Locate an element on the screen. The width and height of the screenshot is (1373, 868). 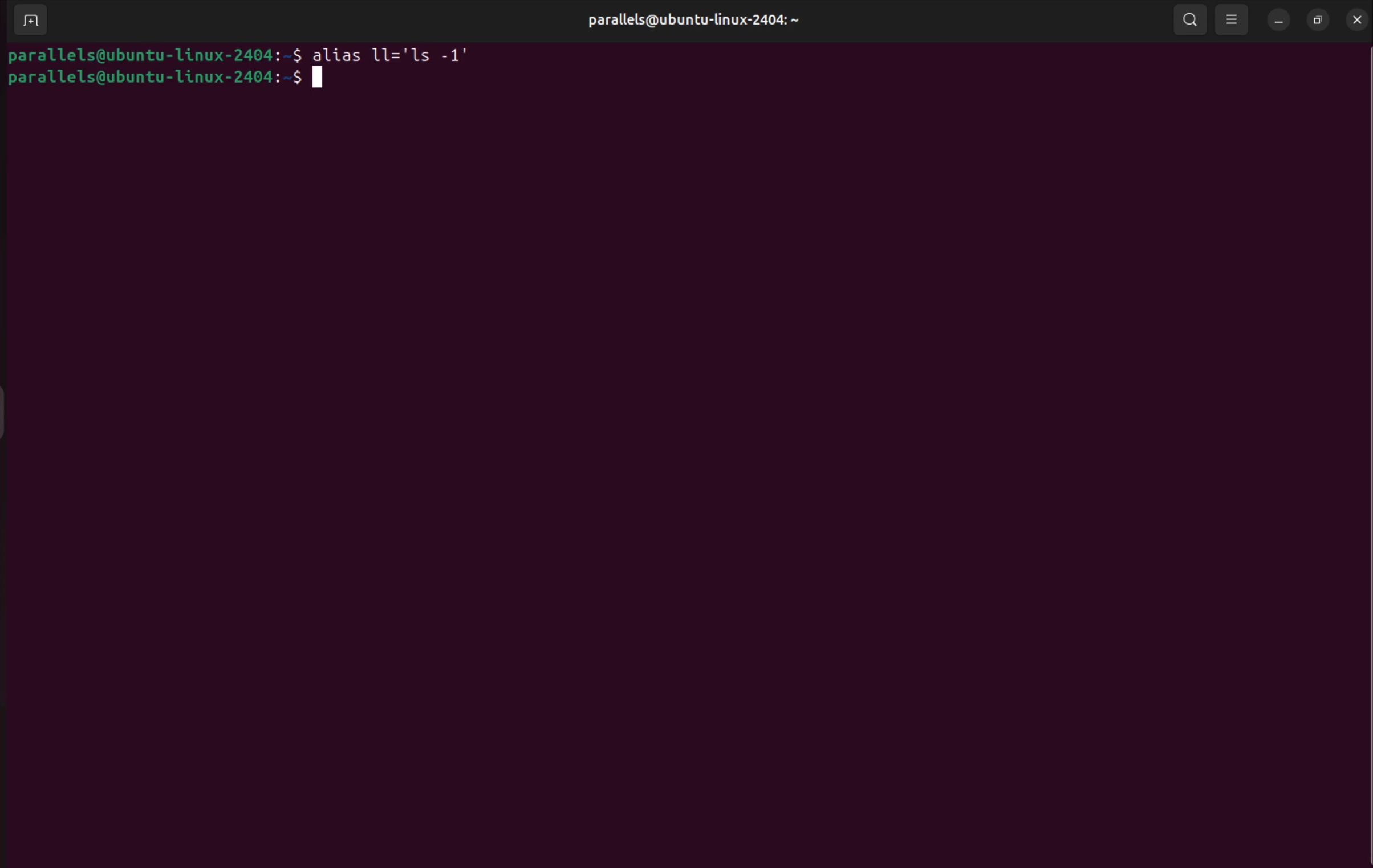
cursor is located at coordinates (319, 76).